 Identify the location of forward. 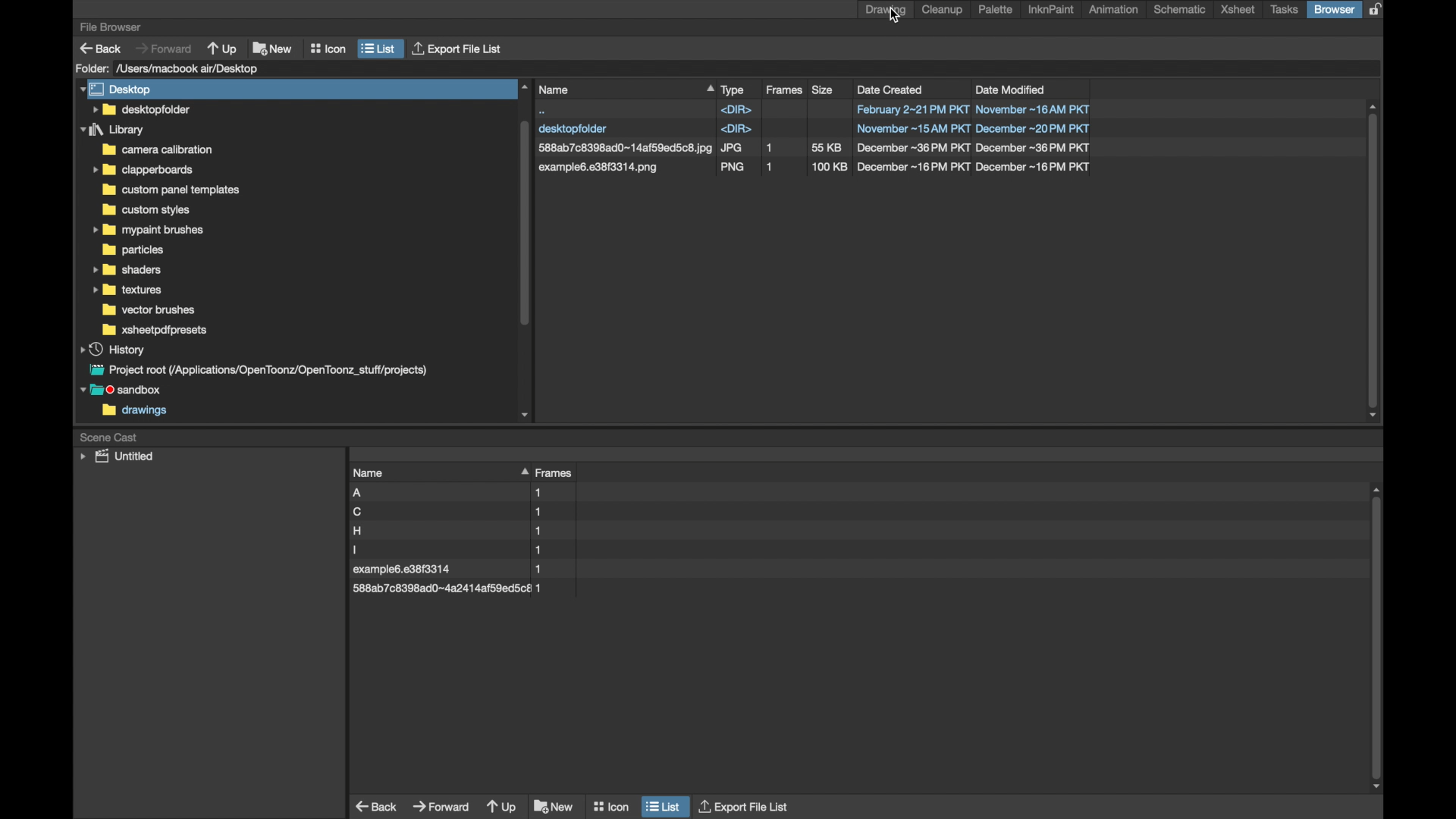
(441, 805).